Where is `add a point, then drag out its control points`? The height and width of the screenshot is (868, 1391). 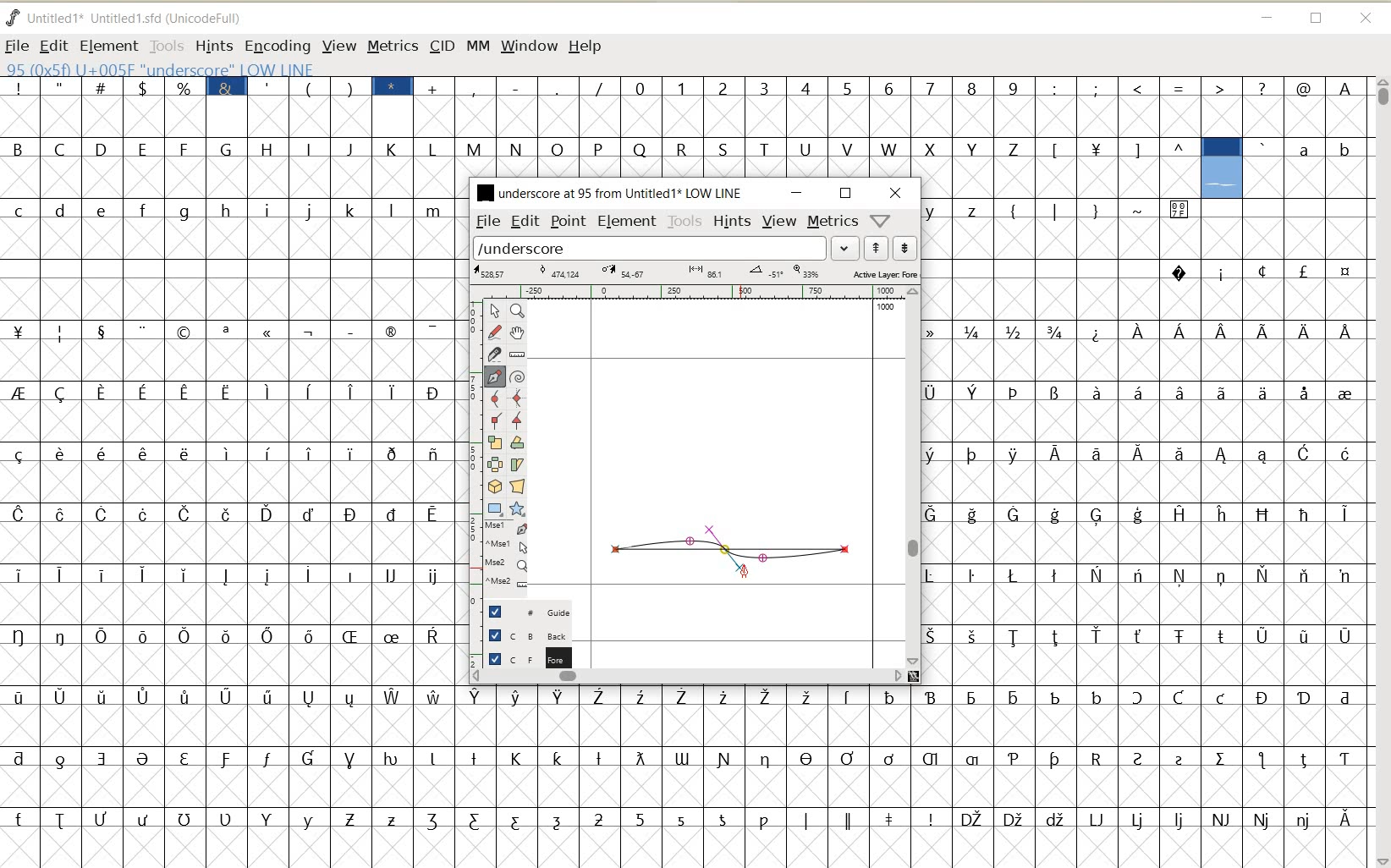 add a point, then drag out its control points is located at coordinates (495, 377).